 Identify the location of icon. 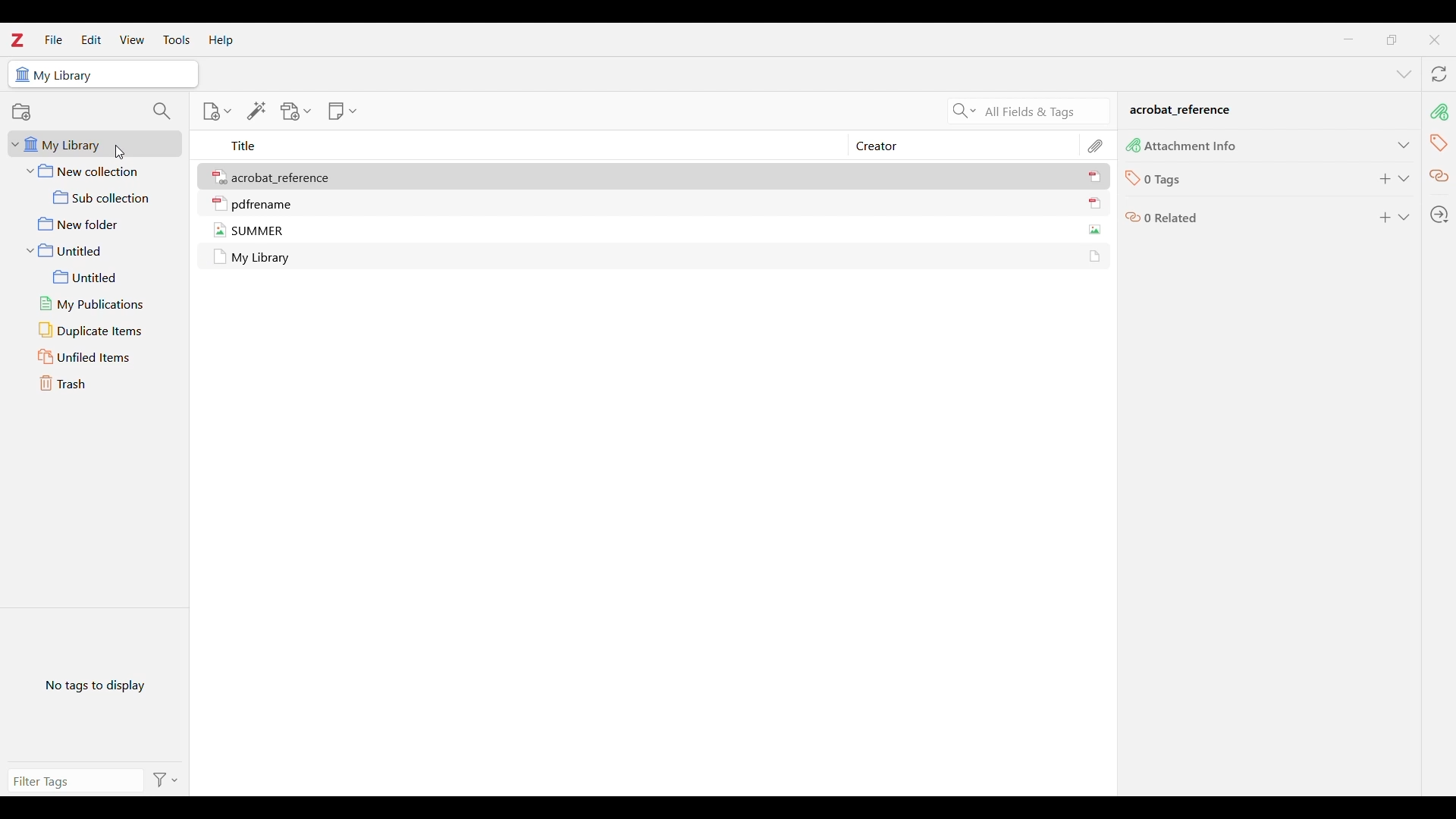
(1133, 145).